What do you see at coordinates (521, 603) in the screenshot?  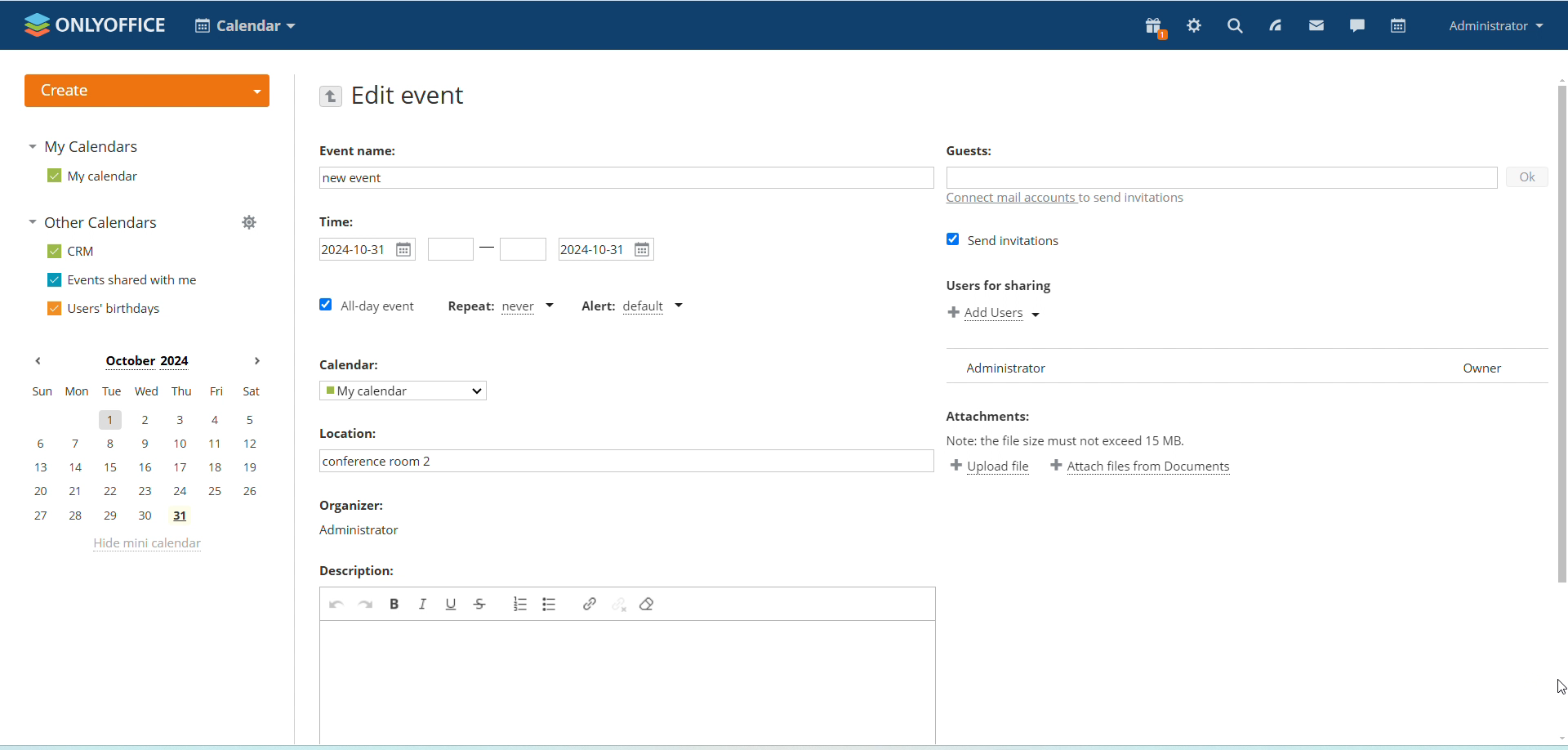 I see `add/remove numbered list` at bounding box center [521, 603].